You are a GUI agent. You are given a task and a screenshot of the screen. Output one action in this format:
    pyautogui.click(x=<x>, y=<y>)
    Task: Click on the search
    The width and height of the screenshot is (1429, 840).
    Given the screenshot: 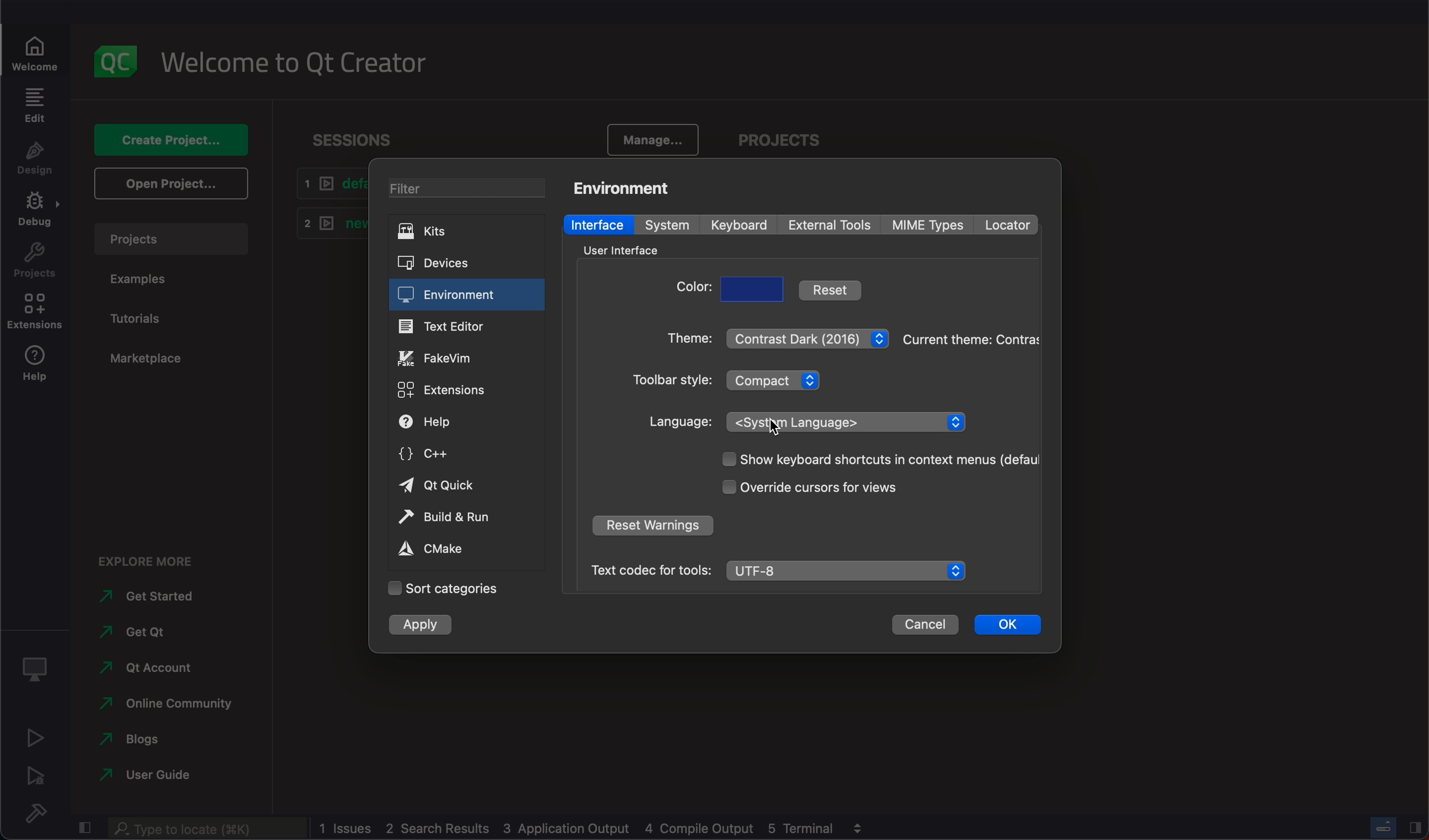 What is the action you would take?
    pyautogui.click(x=210, y=829)
    